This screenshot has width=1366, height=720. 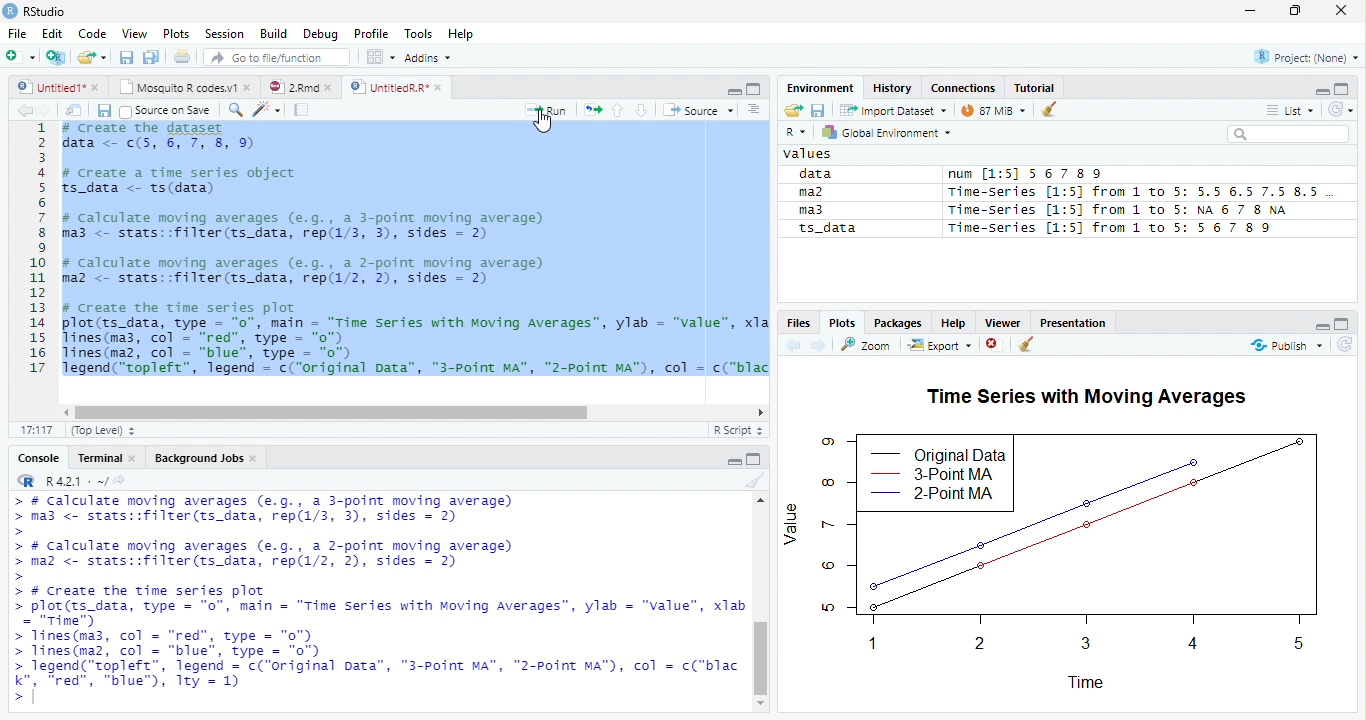 What do you see at coordinates (36, 10) in the screenshot?
I see `RStudio` at bounding box center [36, 10].